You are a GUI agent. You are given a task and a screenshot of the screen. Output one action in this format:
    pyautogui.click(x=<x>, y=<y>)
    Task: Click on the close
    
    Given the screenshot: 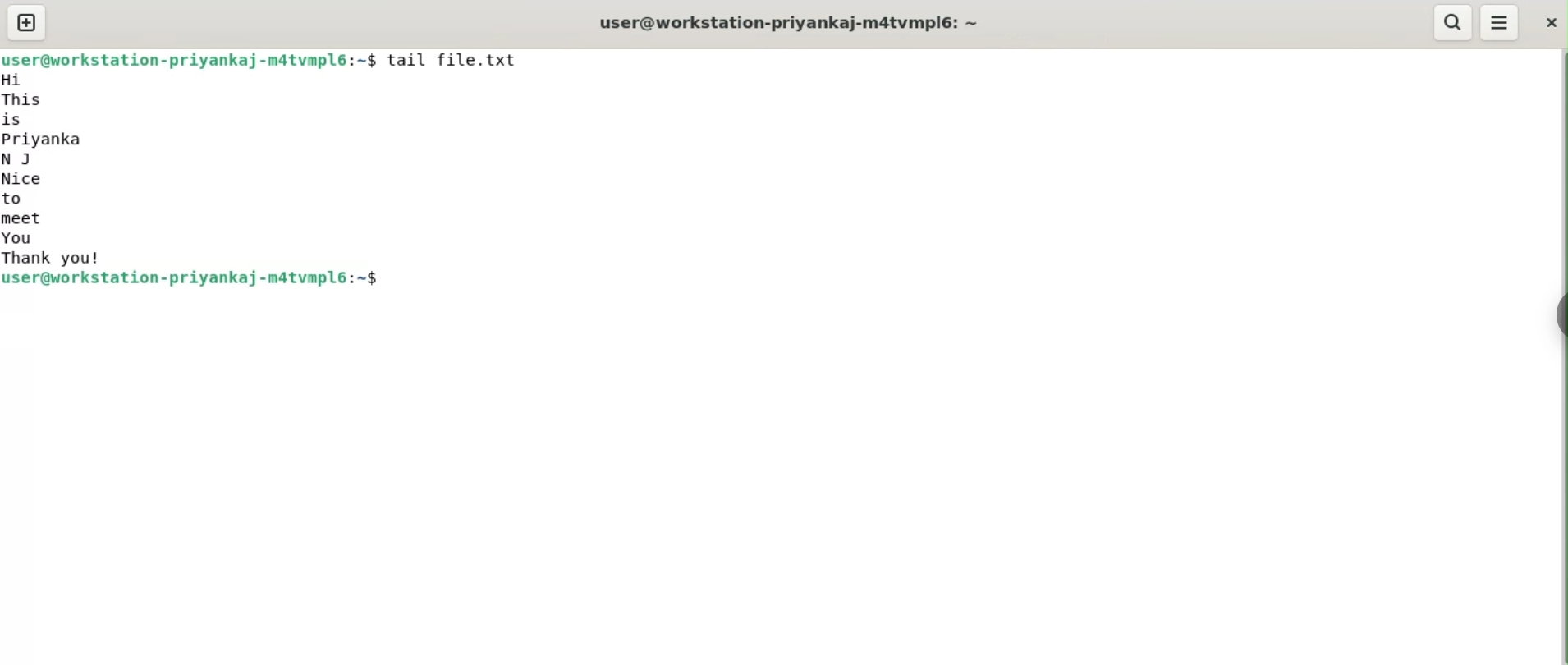 What is the action you would take?
    pyautogui.click(x=1550, y=21)
    